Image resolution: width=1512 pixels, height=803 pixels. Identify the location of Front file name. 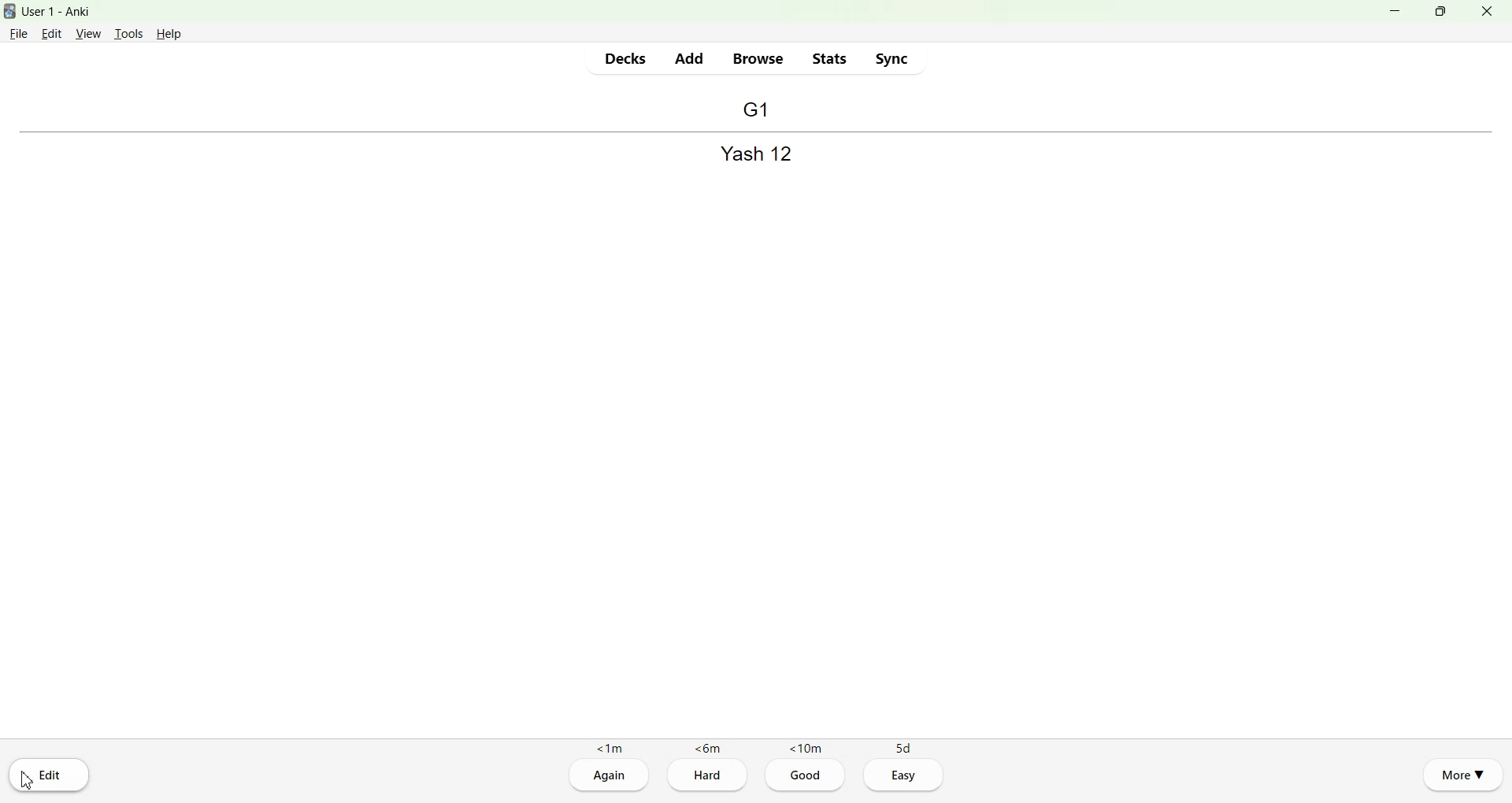
(754, 151).